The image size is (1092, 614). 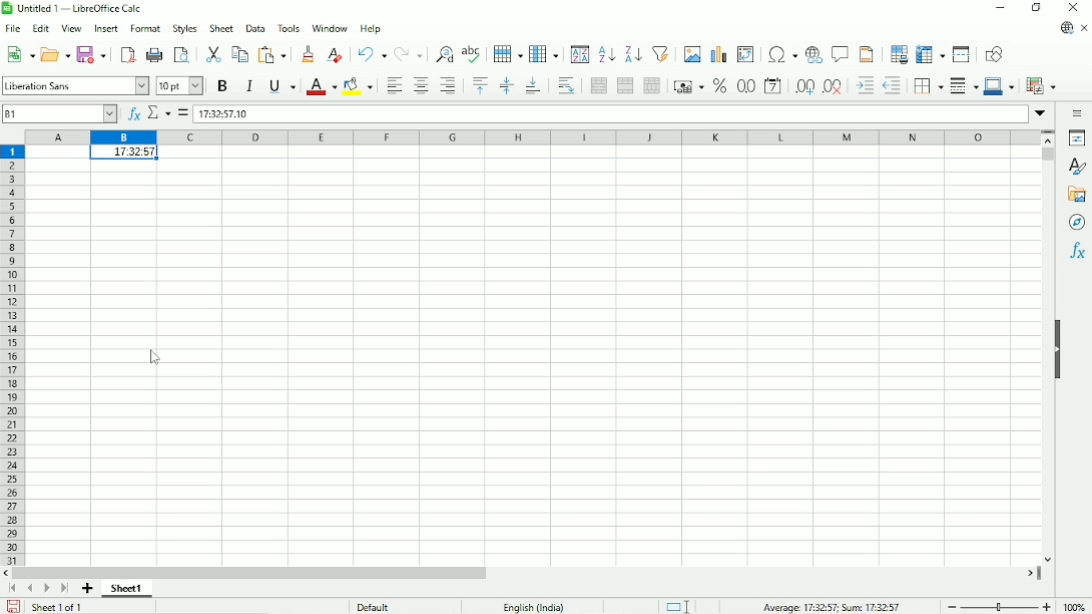 What do you see at coordinates (599, 86) in the screenshot?
I see `Merge and center` at bounding box center [599, 86].